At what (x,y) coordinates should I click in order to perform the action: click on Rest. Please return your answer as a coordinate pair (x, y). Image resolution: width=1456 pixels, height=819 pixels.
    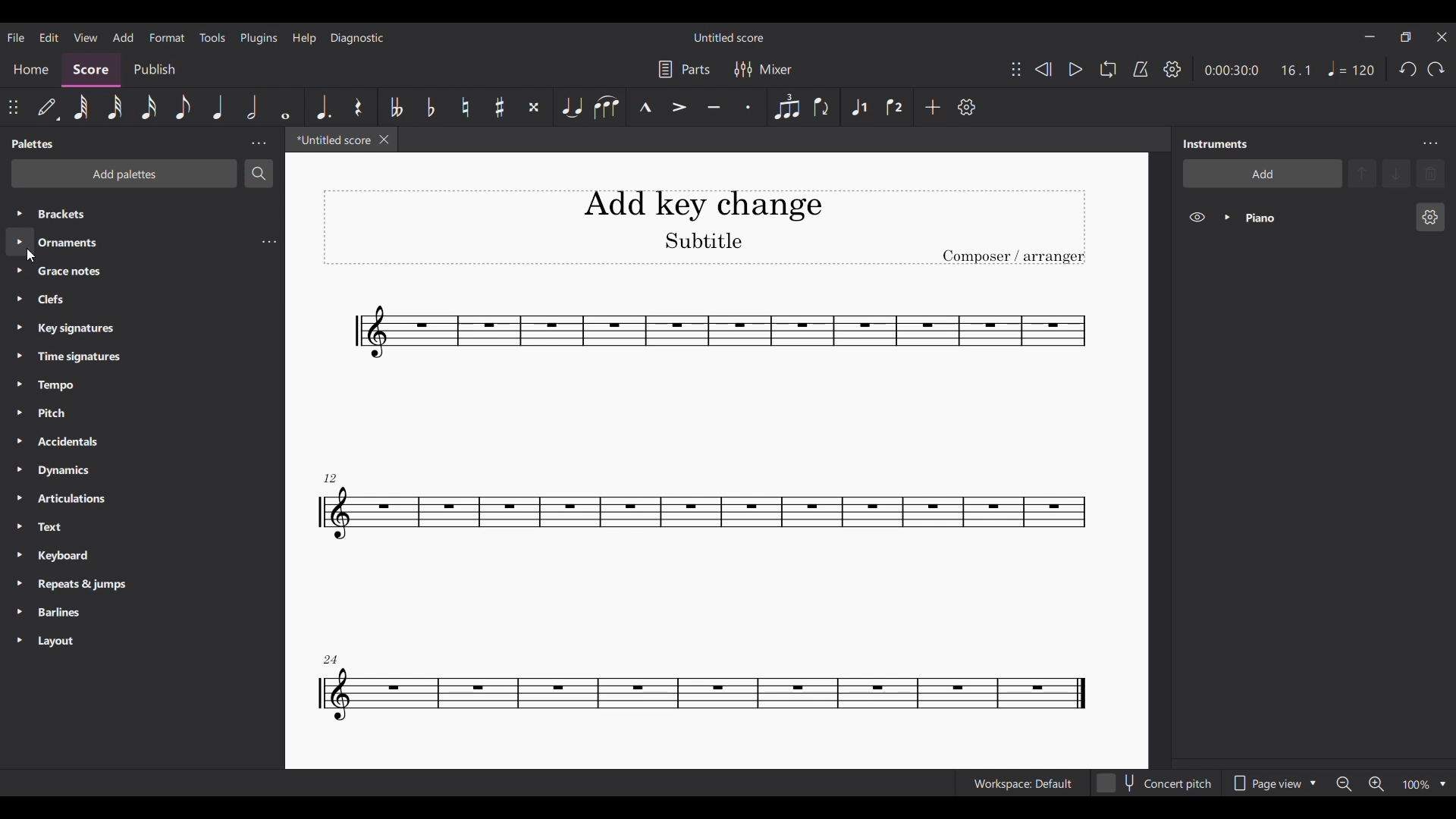
    Looking at the image, I should click on (358, 107).